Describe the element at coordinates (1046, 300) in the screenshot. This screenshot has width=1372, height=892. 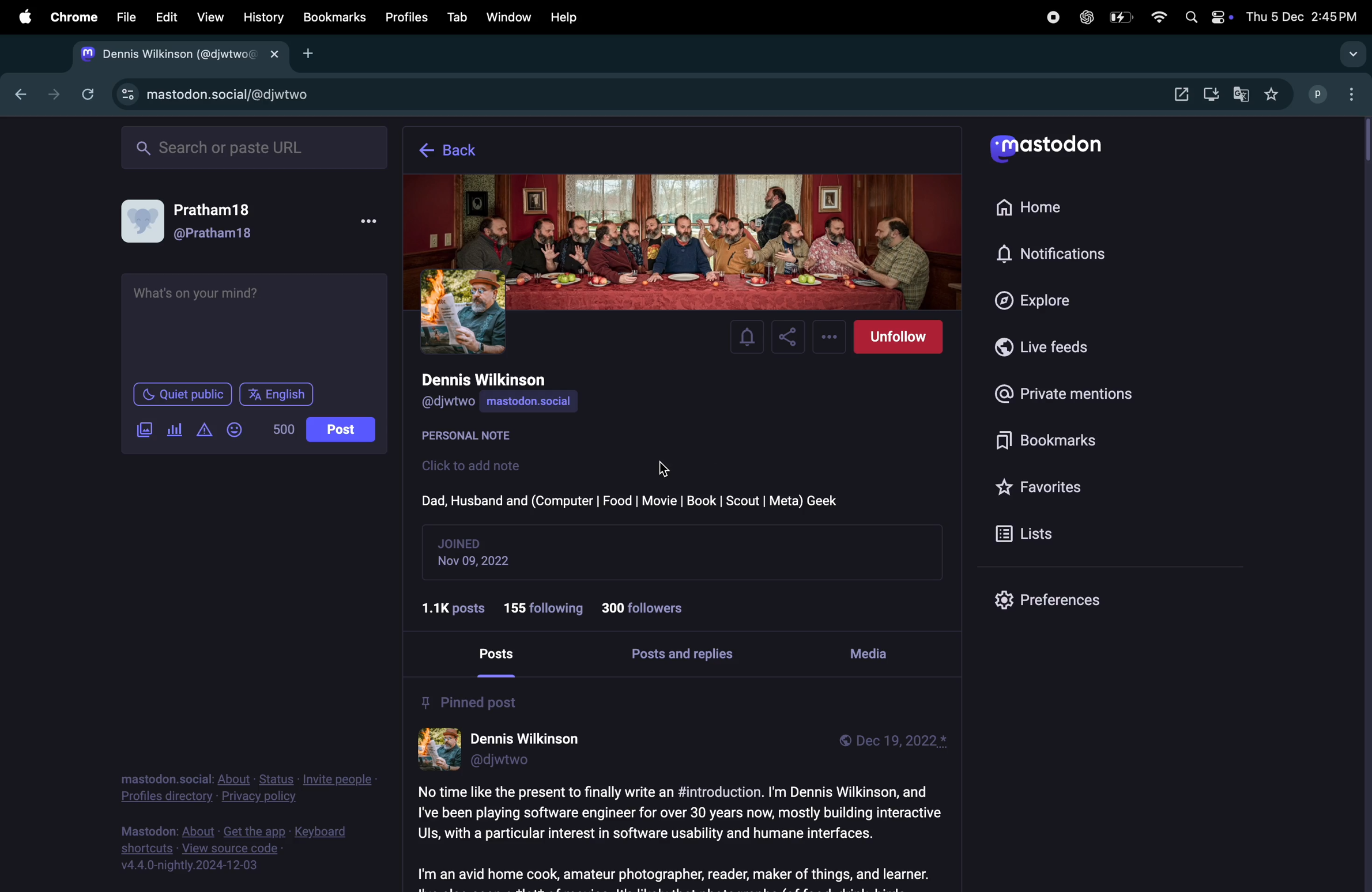
I see `Explore` at that location.